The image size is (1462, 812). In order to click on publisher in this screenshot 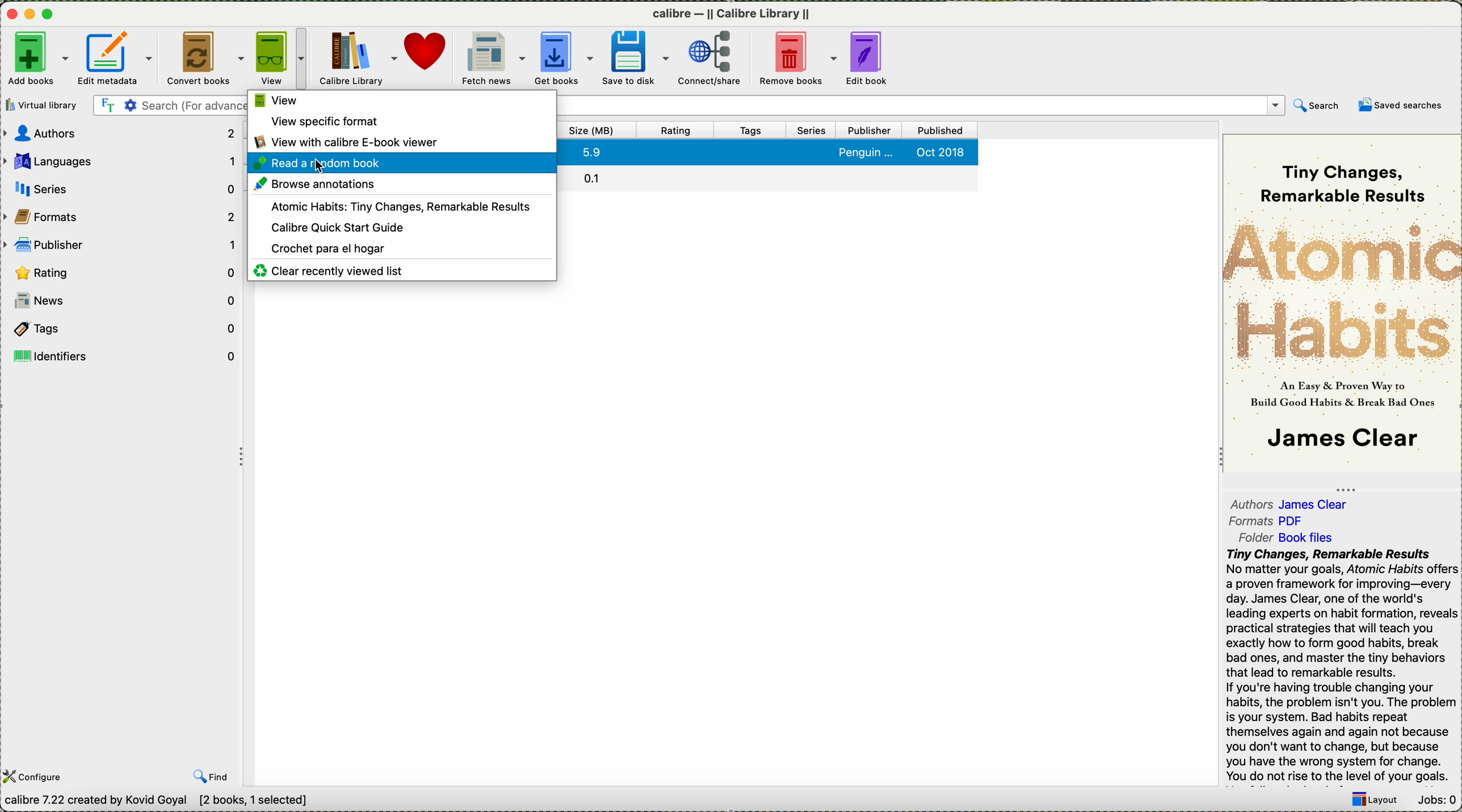, I will do `click(869, 131)`.